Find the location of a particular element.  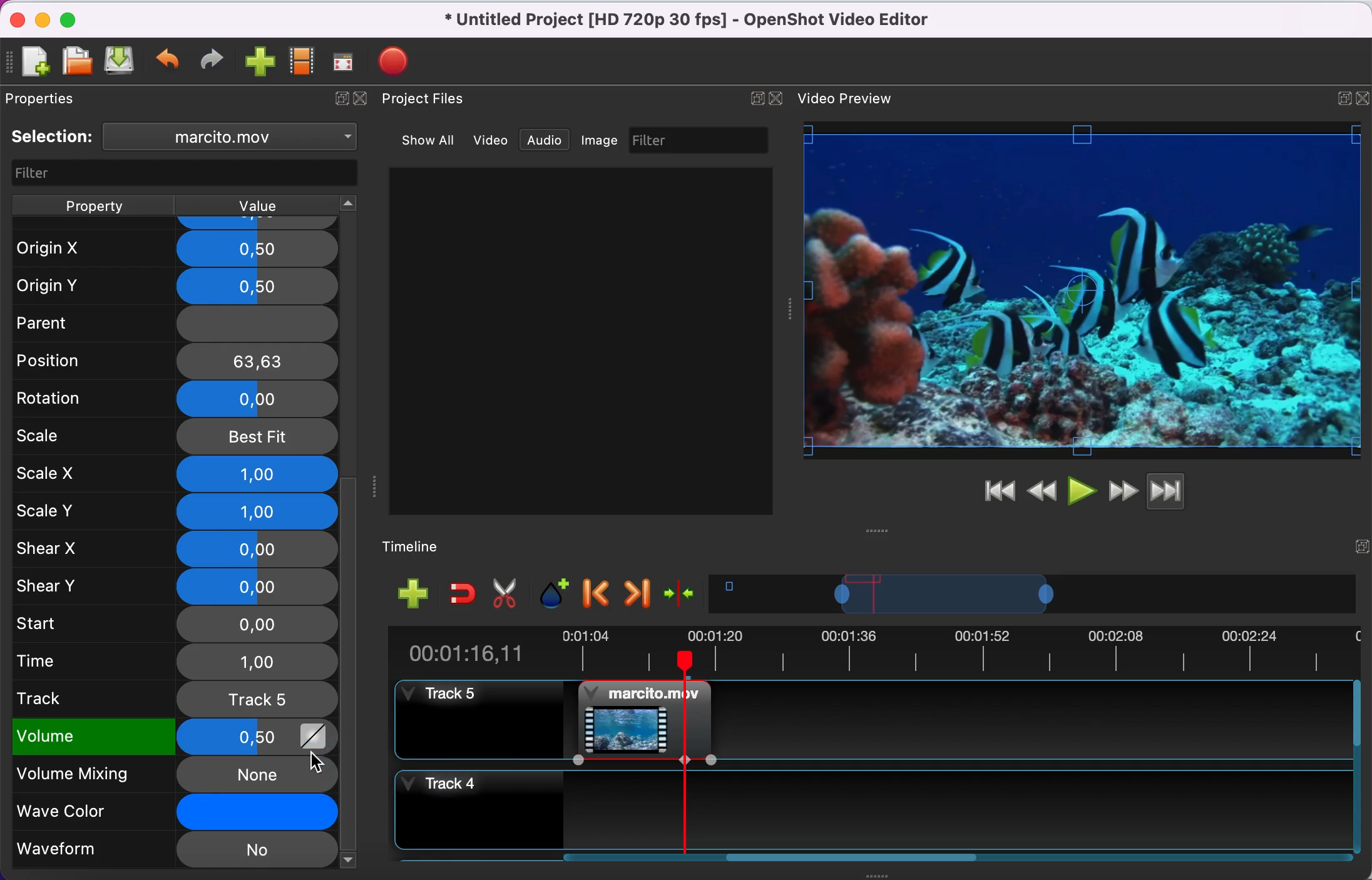

center the timeline is located at coordinates (683, 596).